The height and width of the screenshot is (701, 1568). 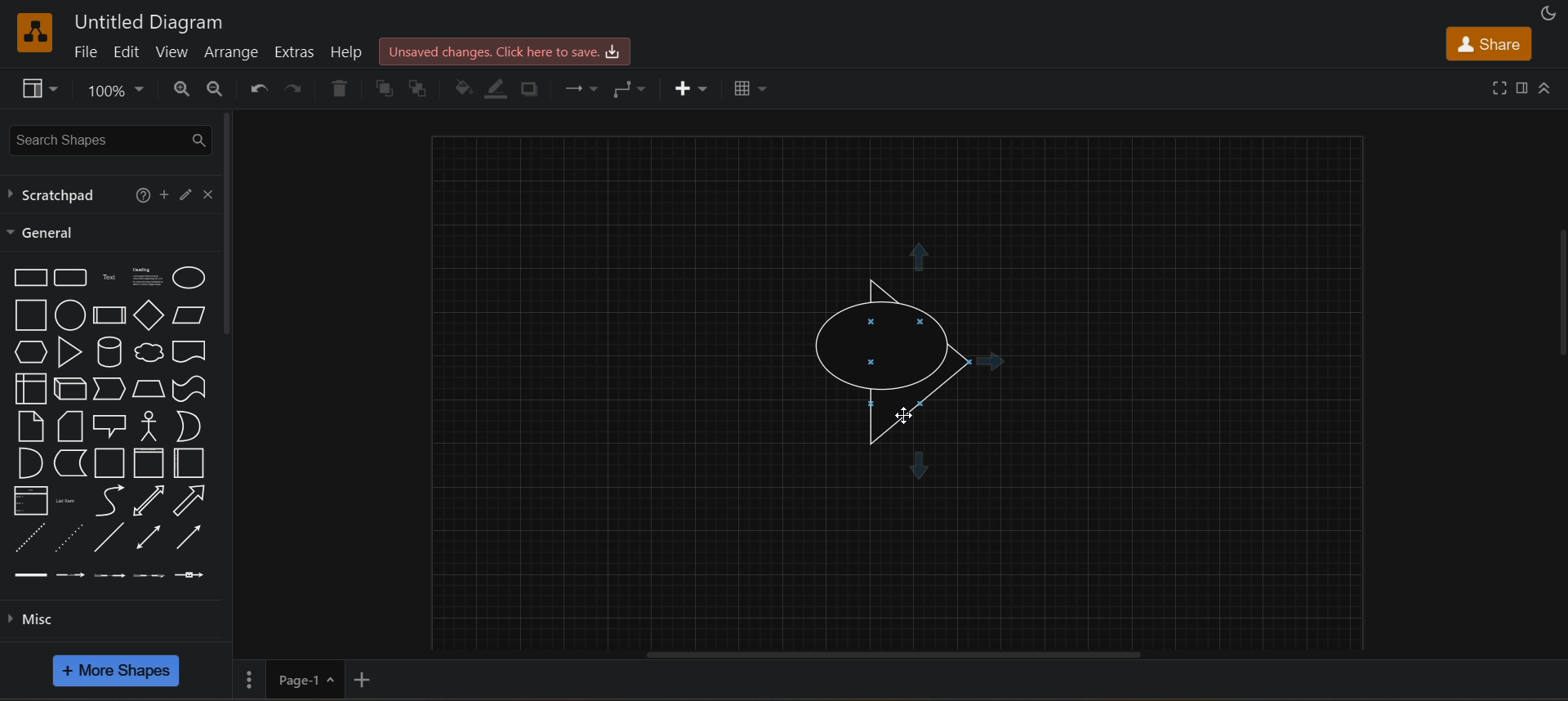 What do you see at coordinates (34, 32) in the screenshot?
I see `draw.io logo` at bounding box center [34, 32].